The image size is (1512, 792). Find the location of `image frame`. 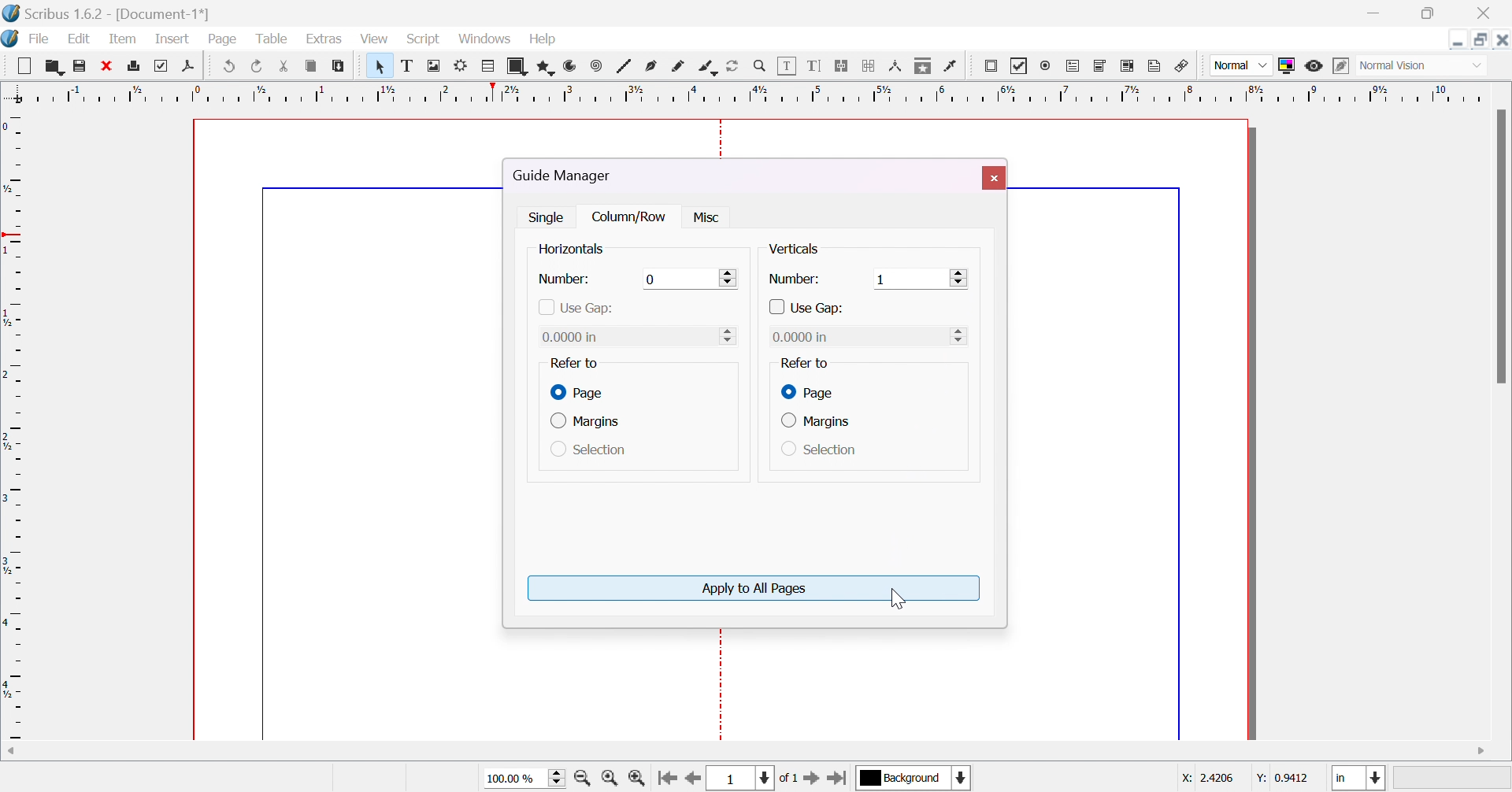

image frame is located at coordinates (437, 67).